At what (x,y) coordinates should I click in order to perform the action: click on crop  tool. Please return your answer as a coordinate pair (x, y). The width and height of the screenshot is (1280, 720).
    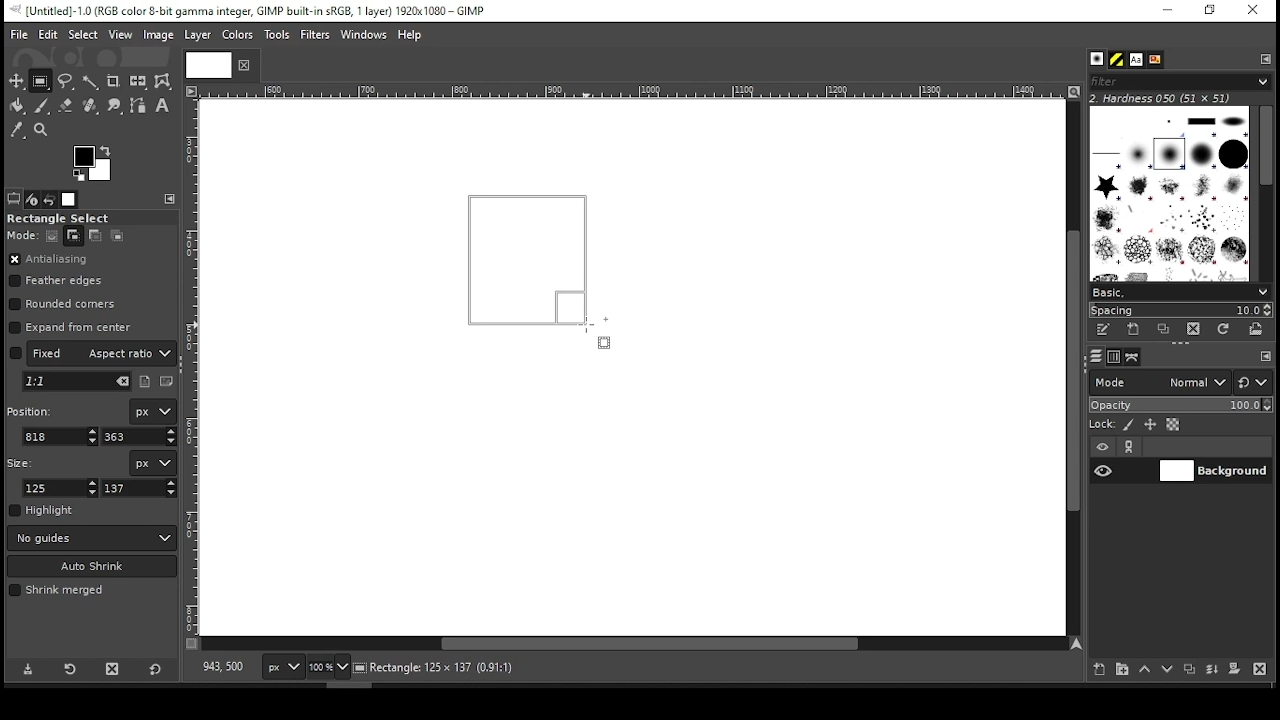
    Looking at the image, I should click on (113, 82).